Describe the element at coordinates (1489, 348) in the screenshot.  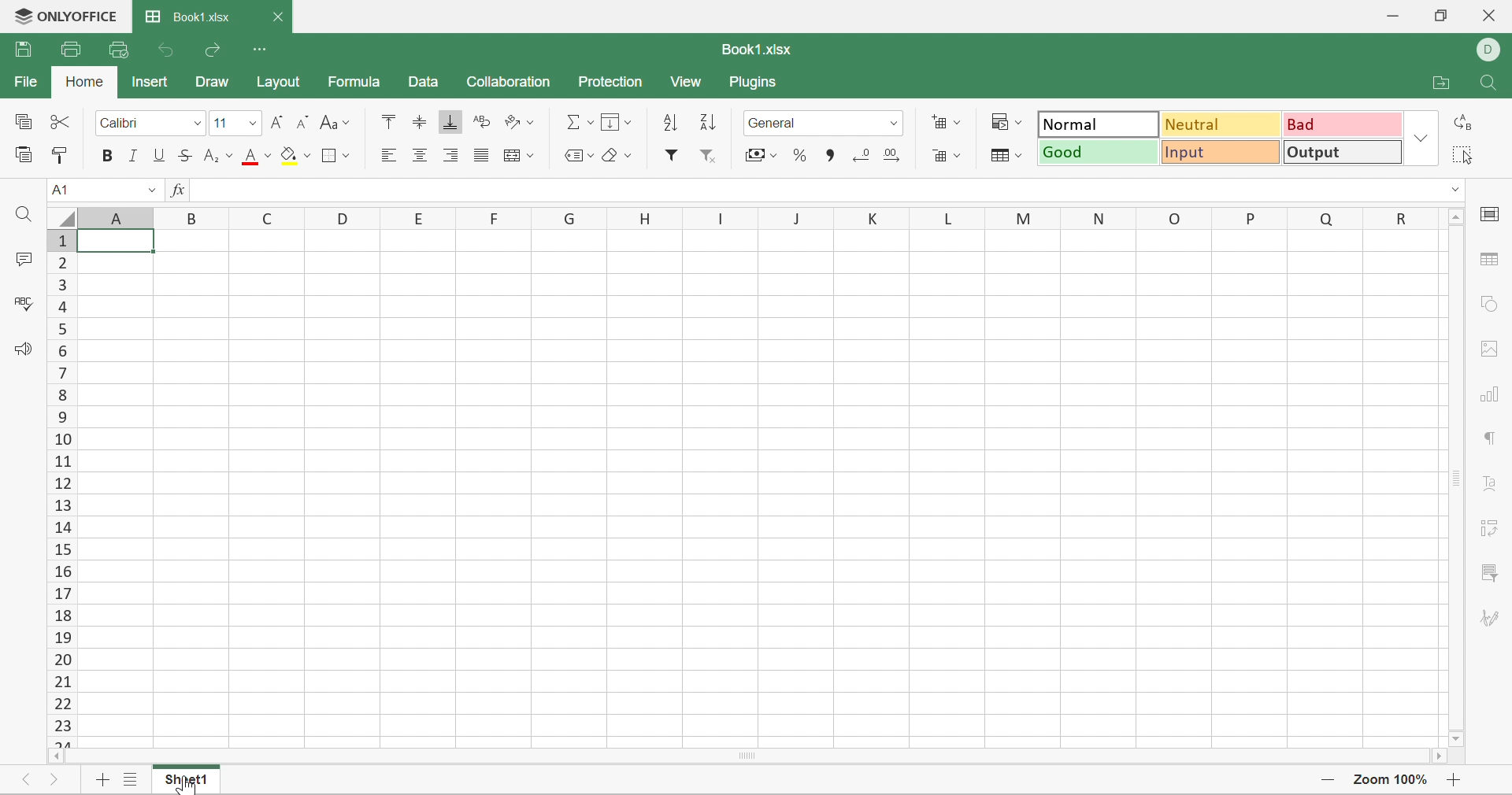
I see `Image settings` at that location.